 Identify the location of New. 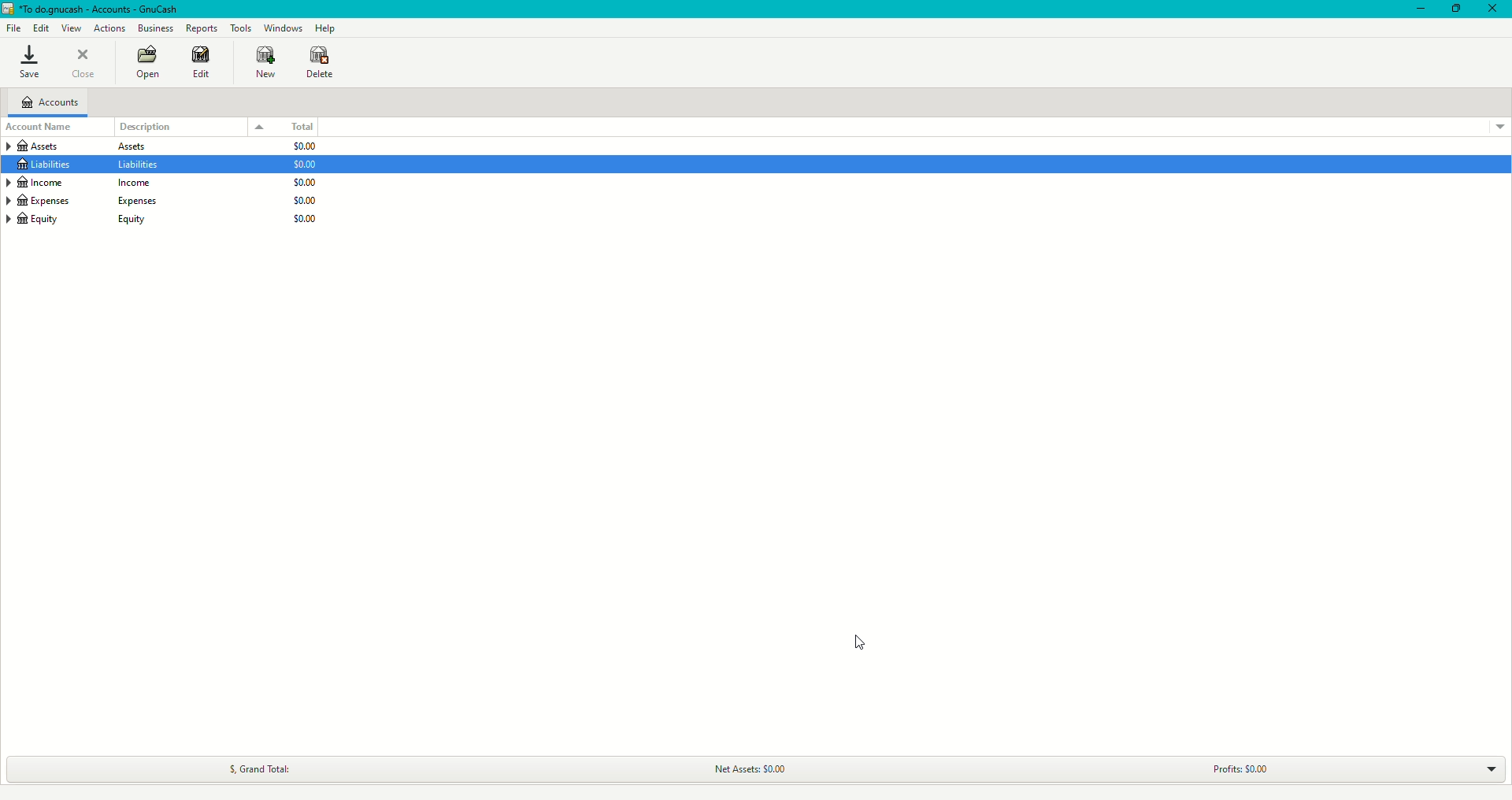
(266, 63).